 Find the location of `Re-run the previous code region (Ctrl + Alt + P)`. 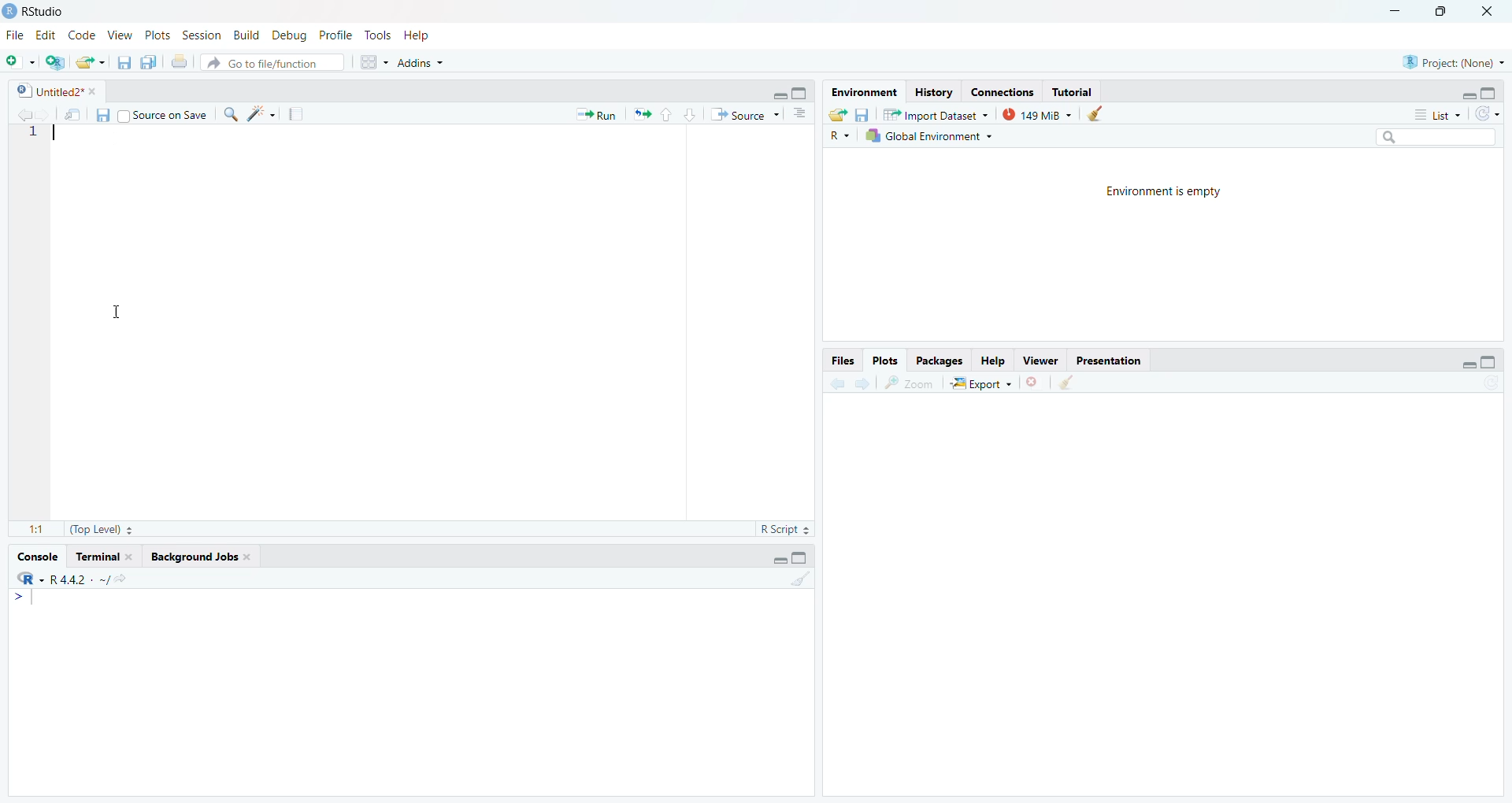

Re-run the previous code region (Ctrl + Alt + P) is located at coordinates (643, 112).